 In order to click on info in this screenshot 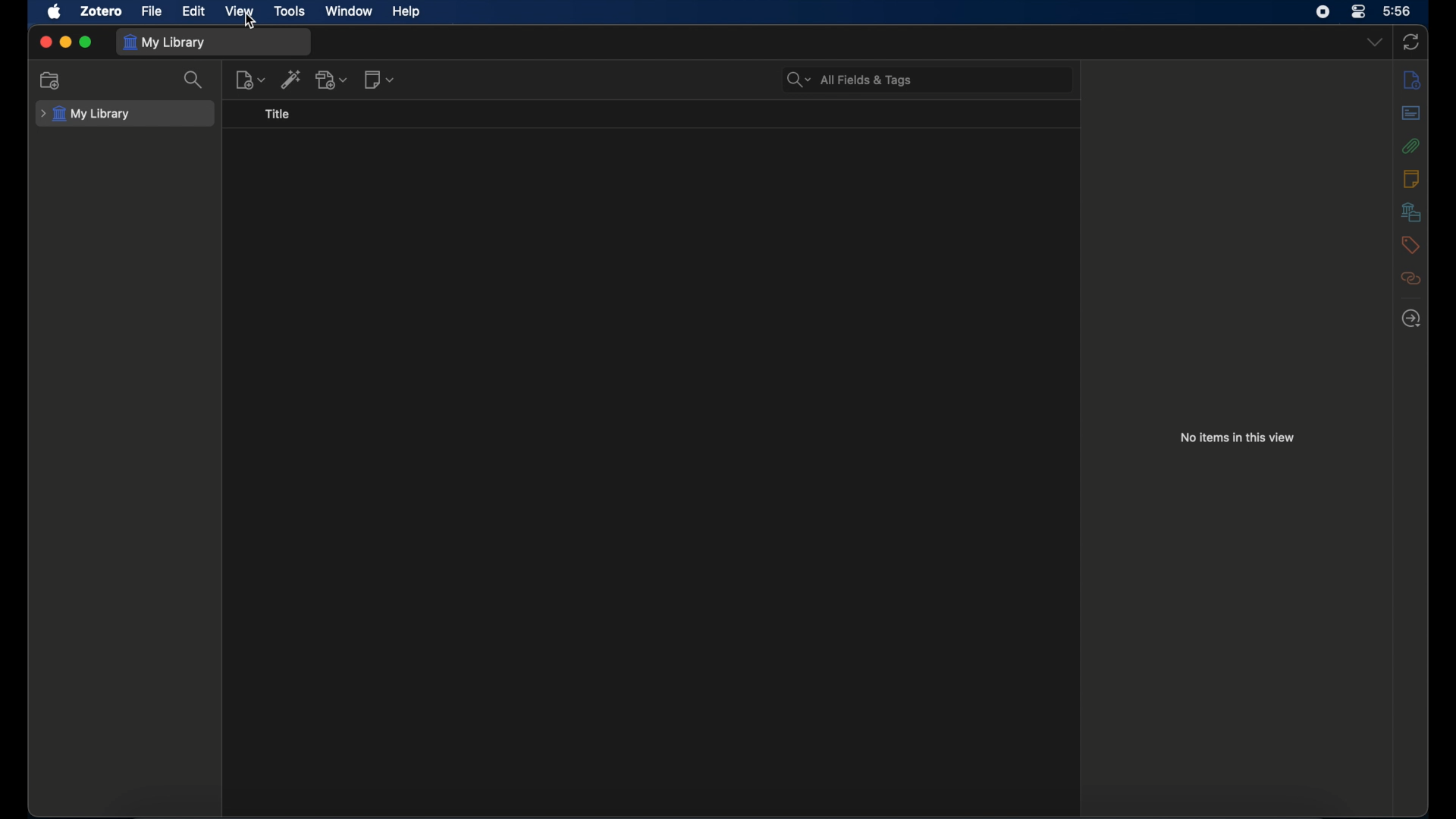, I will do `click(1411, 79)`.